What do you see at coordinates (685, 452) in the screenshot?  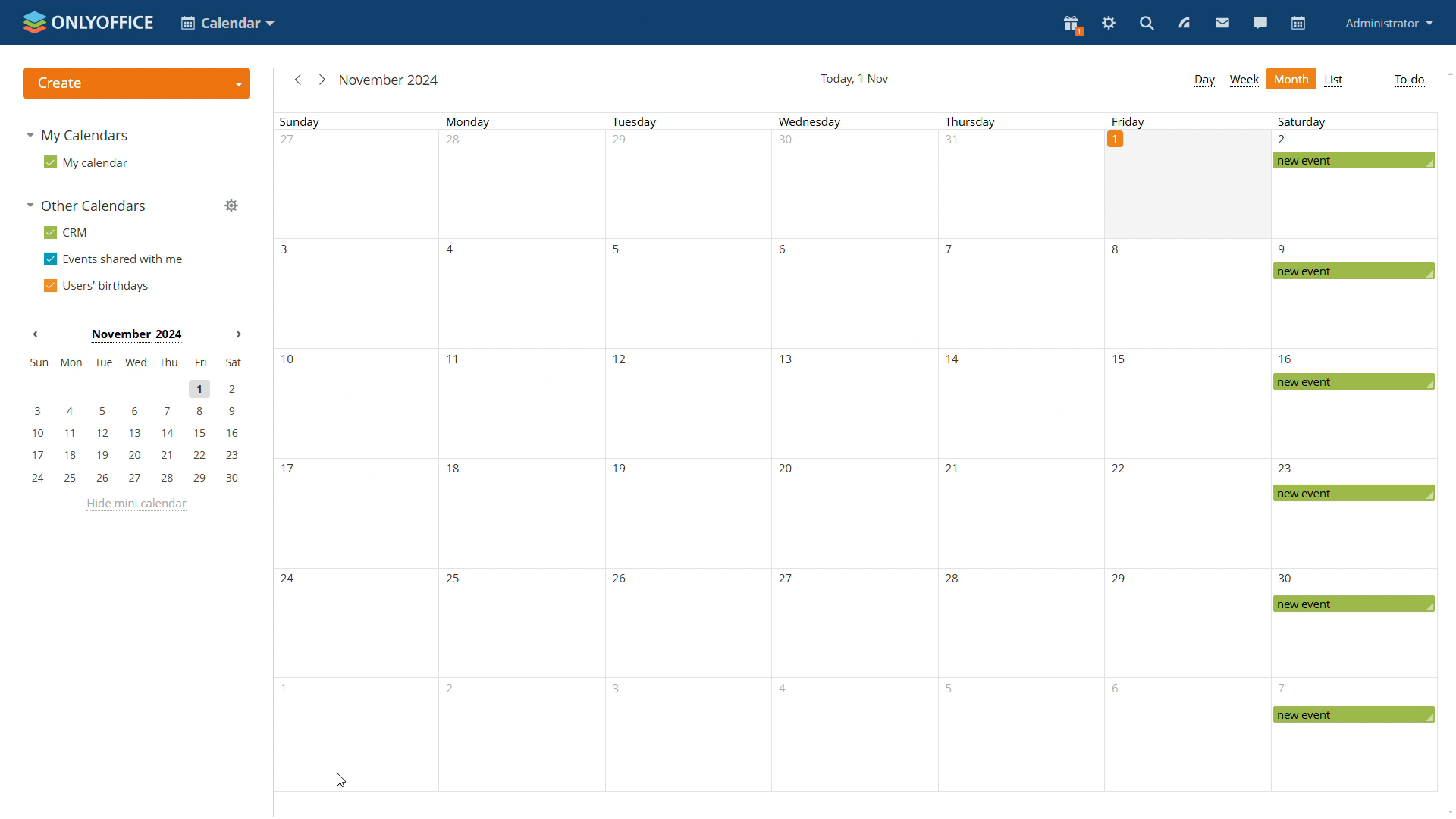 I see `Tuesday` at bounding box center [685, 452].